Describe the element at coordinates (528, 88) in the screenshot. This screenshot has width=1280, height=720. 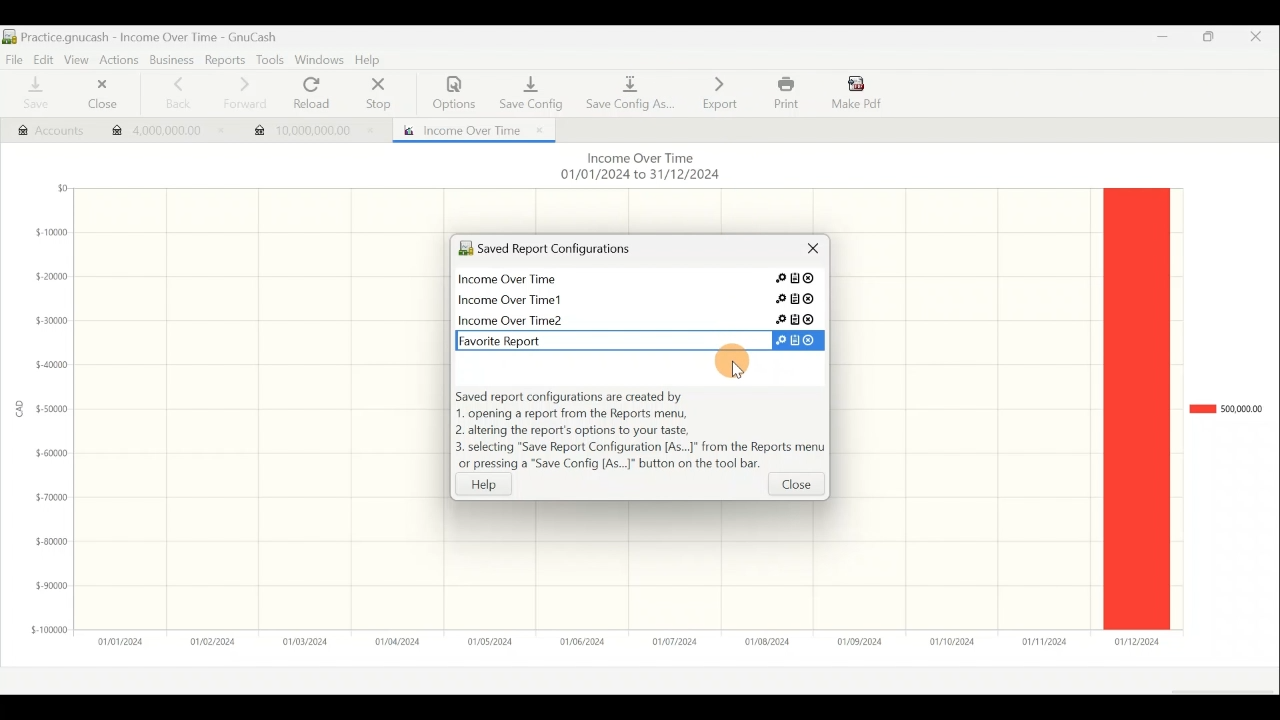
I see `Save config` at that location.